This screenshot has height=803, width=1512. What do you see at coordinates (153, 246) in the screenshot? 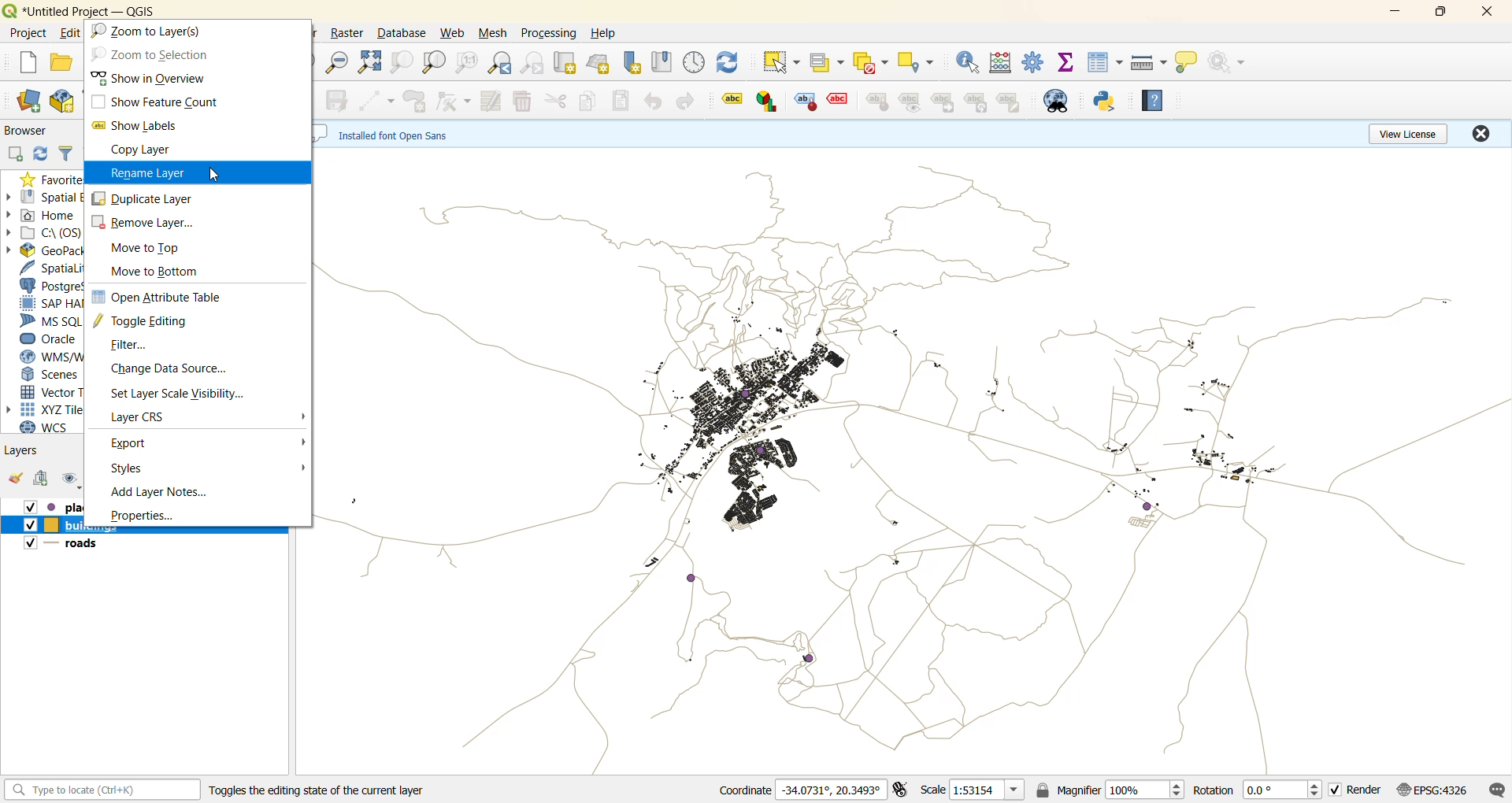
I see `move to top` at bounding box center [153, 246].